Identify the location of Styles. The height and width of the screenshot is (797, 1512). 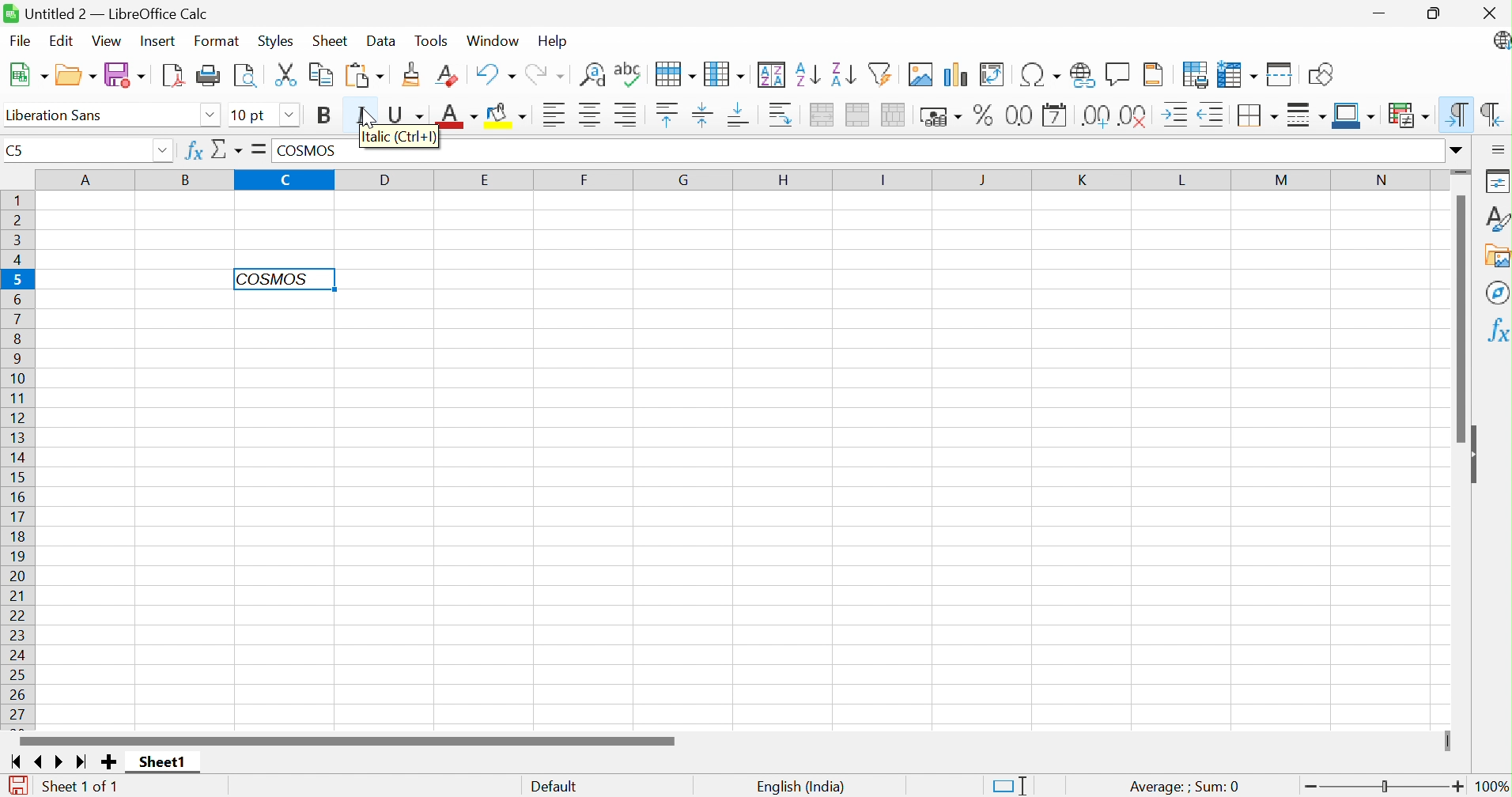
(275, 43).